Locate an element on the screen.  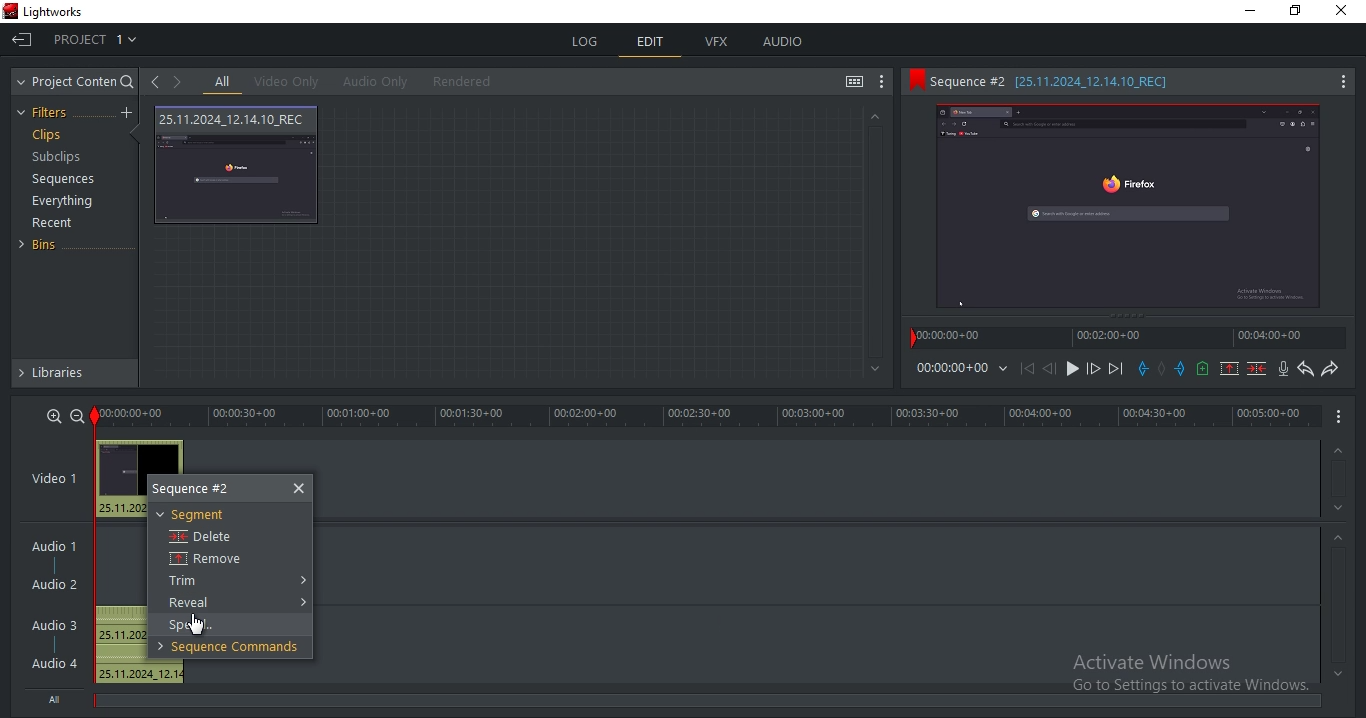
delete is located at coordinates (200, 537).